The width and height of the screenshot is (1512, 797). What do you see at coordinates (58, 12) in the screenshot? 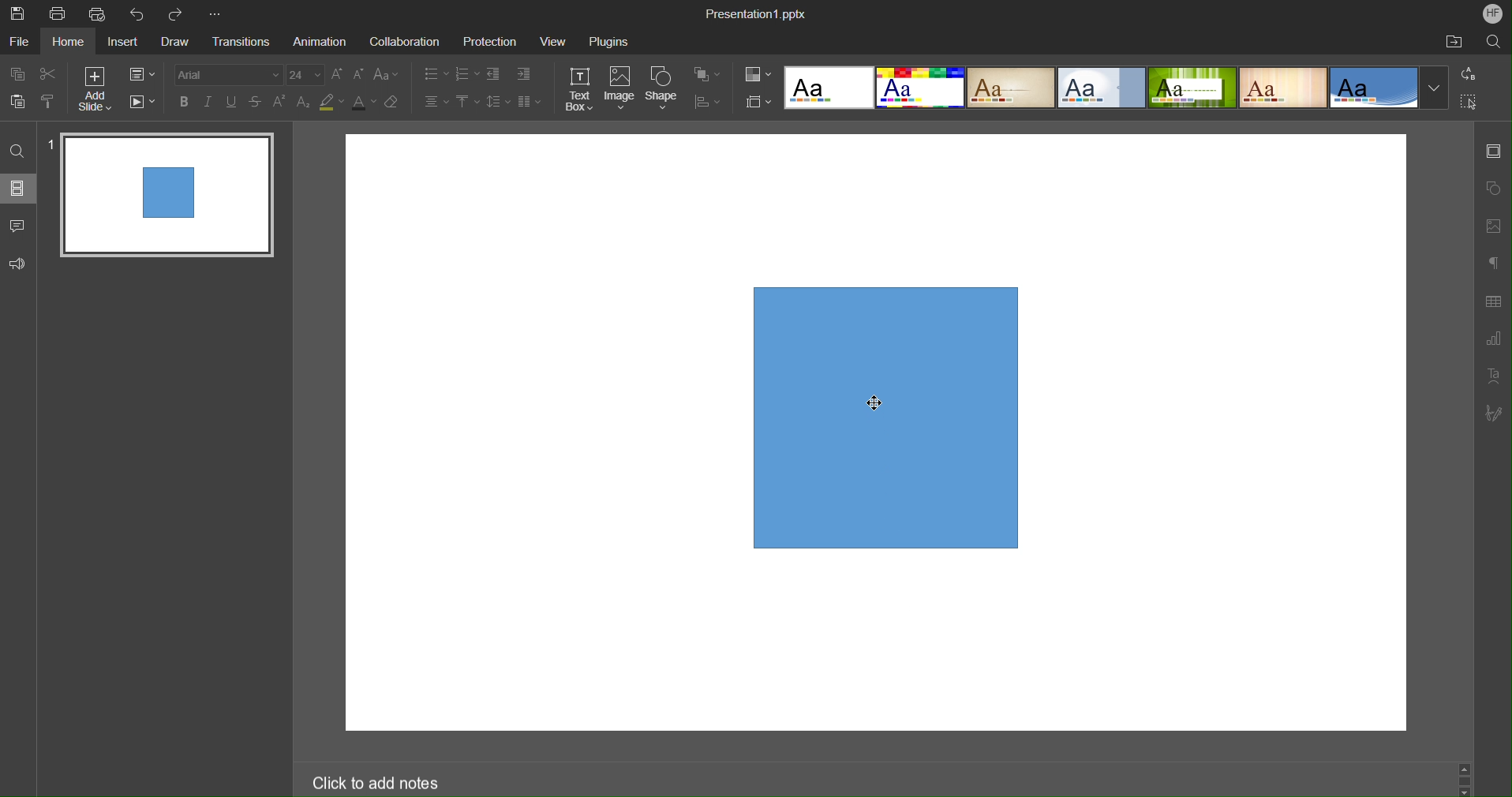
I see `Print` at bounding box center [58, 12].